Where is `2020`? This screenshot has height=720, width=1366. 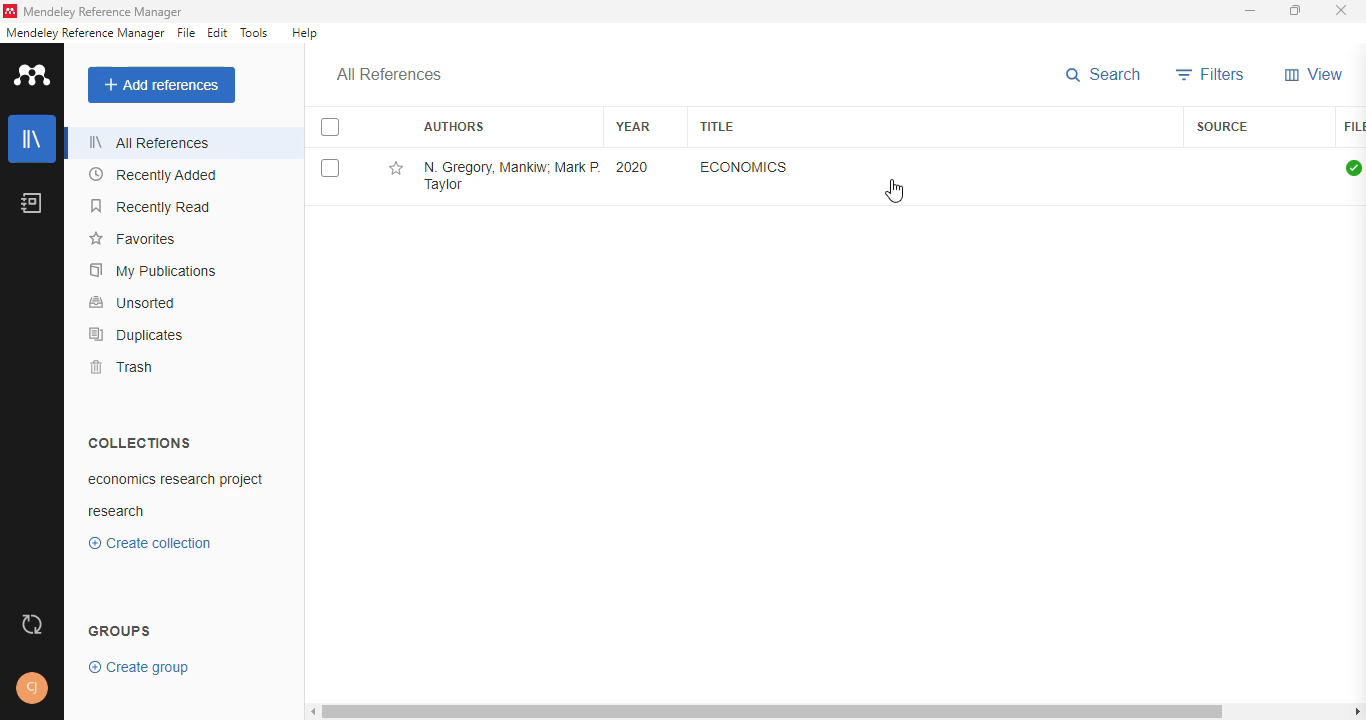
2020 is located at coordinates (632, 167).